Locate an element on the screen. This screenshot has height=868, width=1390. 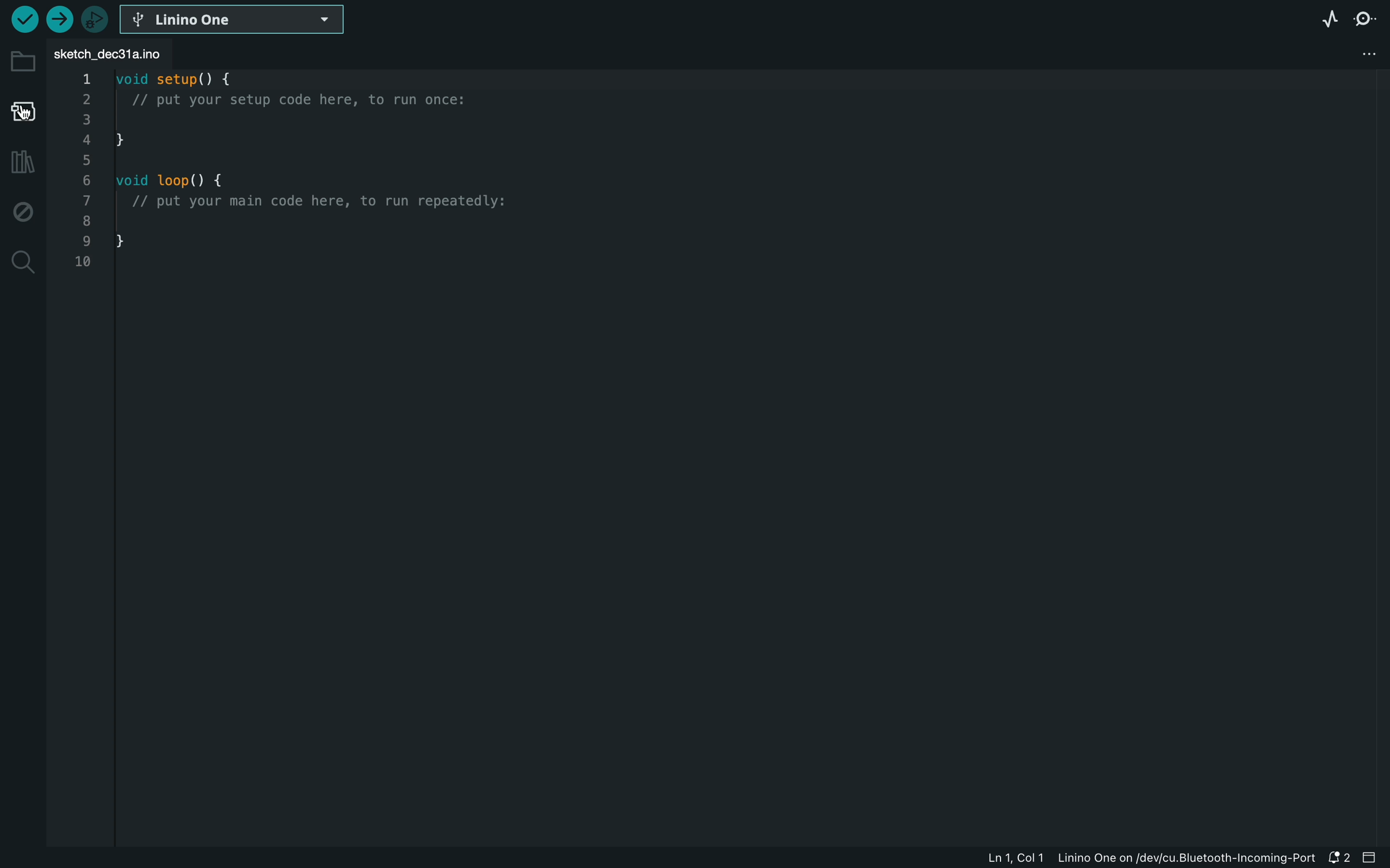
file information is located at coordinates (1142, 859).